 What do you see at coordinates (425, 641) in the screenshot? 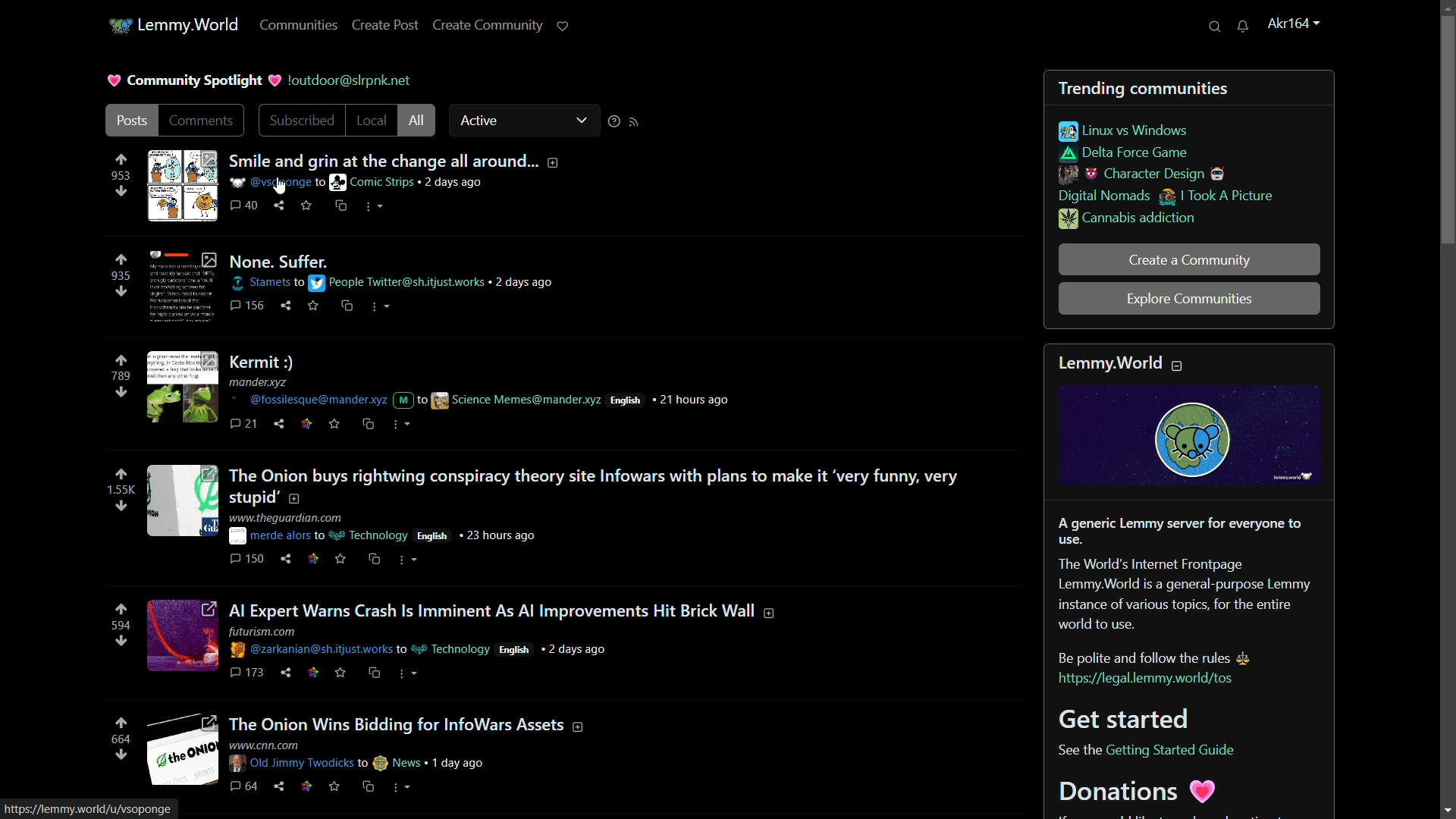
I see `post details` at bounding box center [425, 641].